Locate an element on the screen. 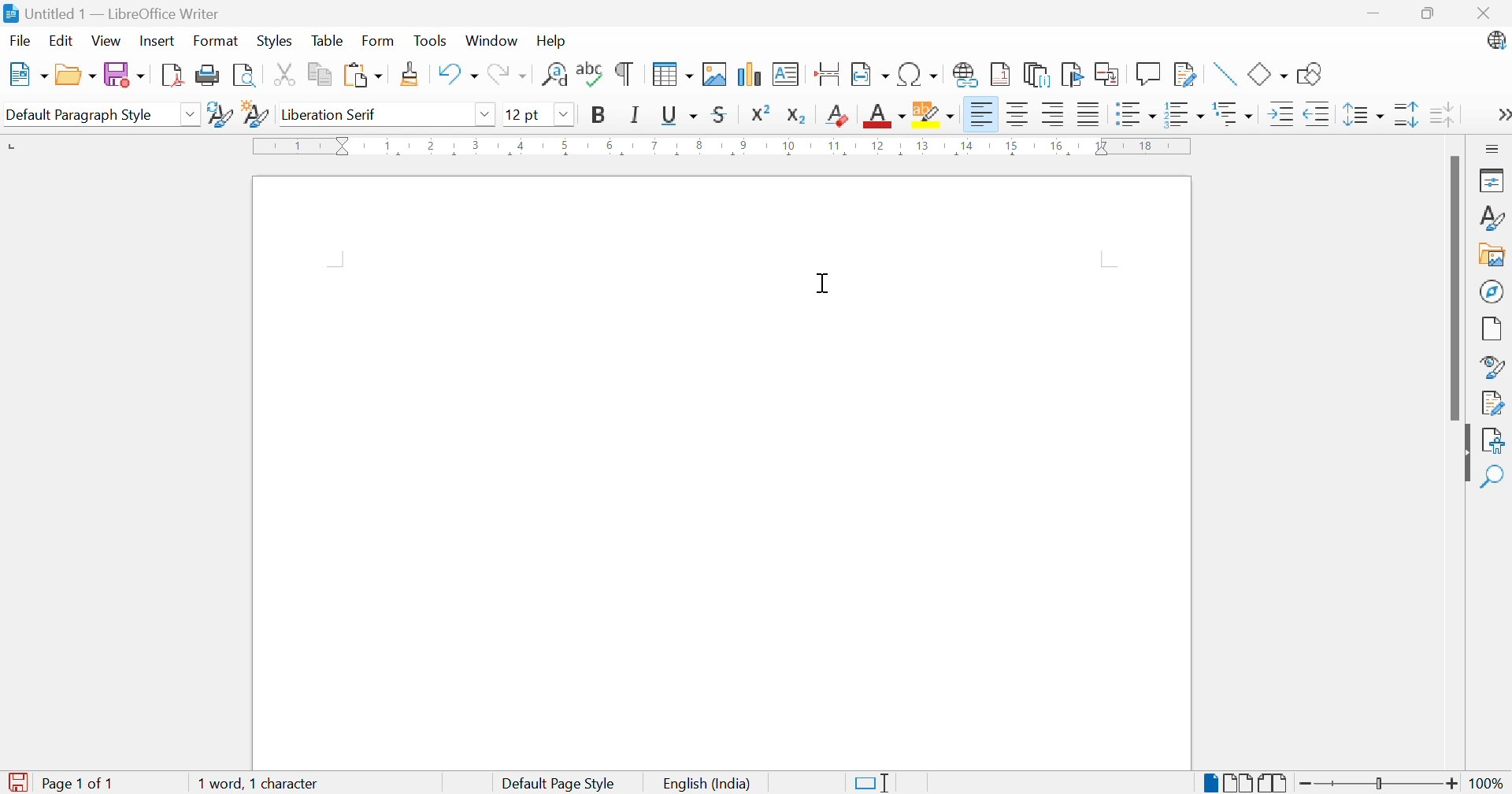 Image resolution: width=1512 pixels, height=794 pixels. Page 1 of 1 is located at coordinates (82, 783).